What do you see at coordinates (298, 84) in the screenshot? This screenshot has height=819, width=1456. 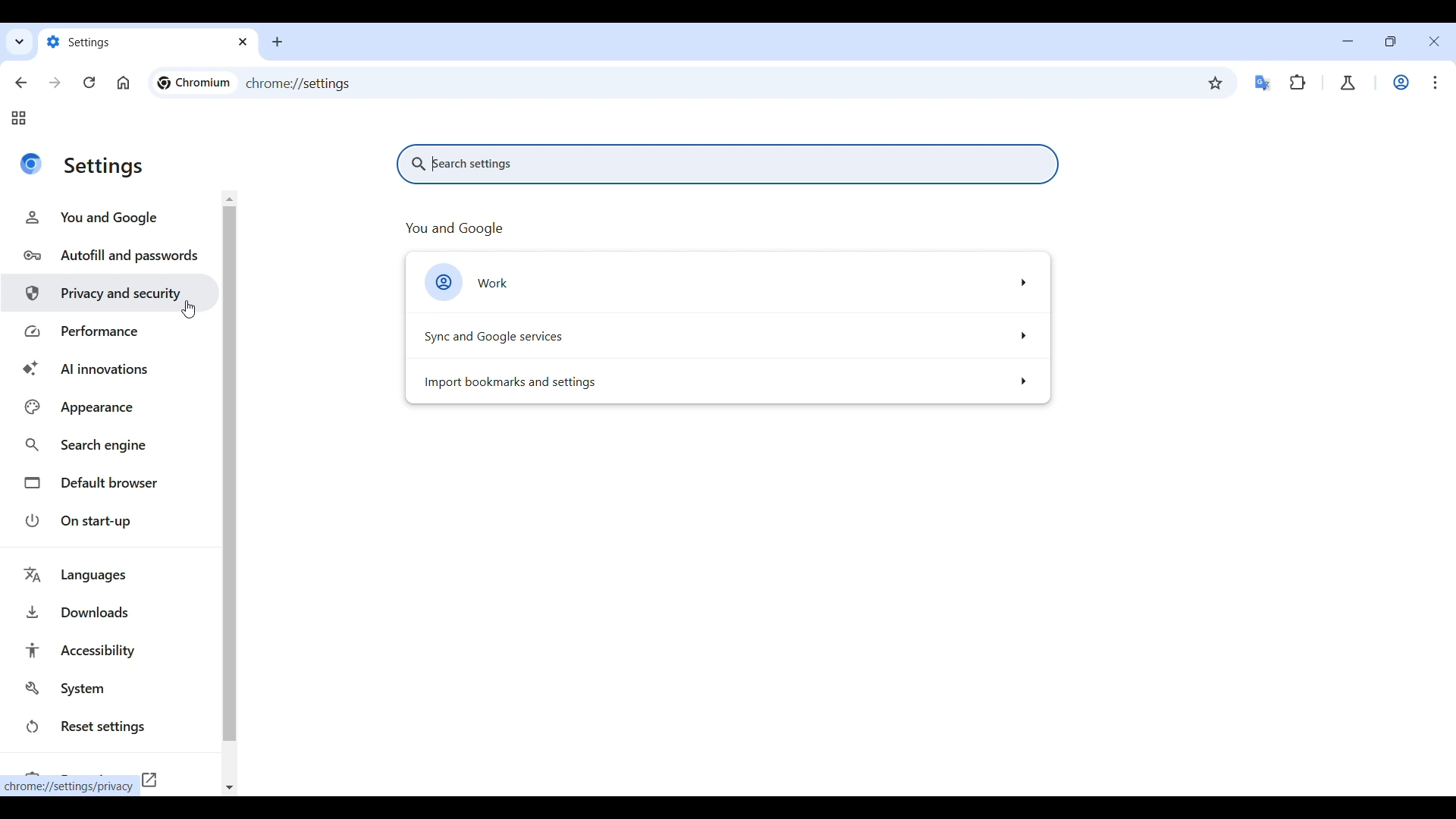 I see `chrome://settings` at bounding box center [298, 84].